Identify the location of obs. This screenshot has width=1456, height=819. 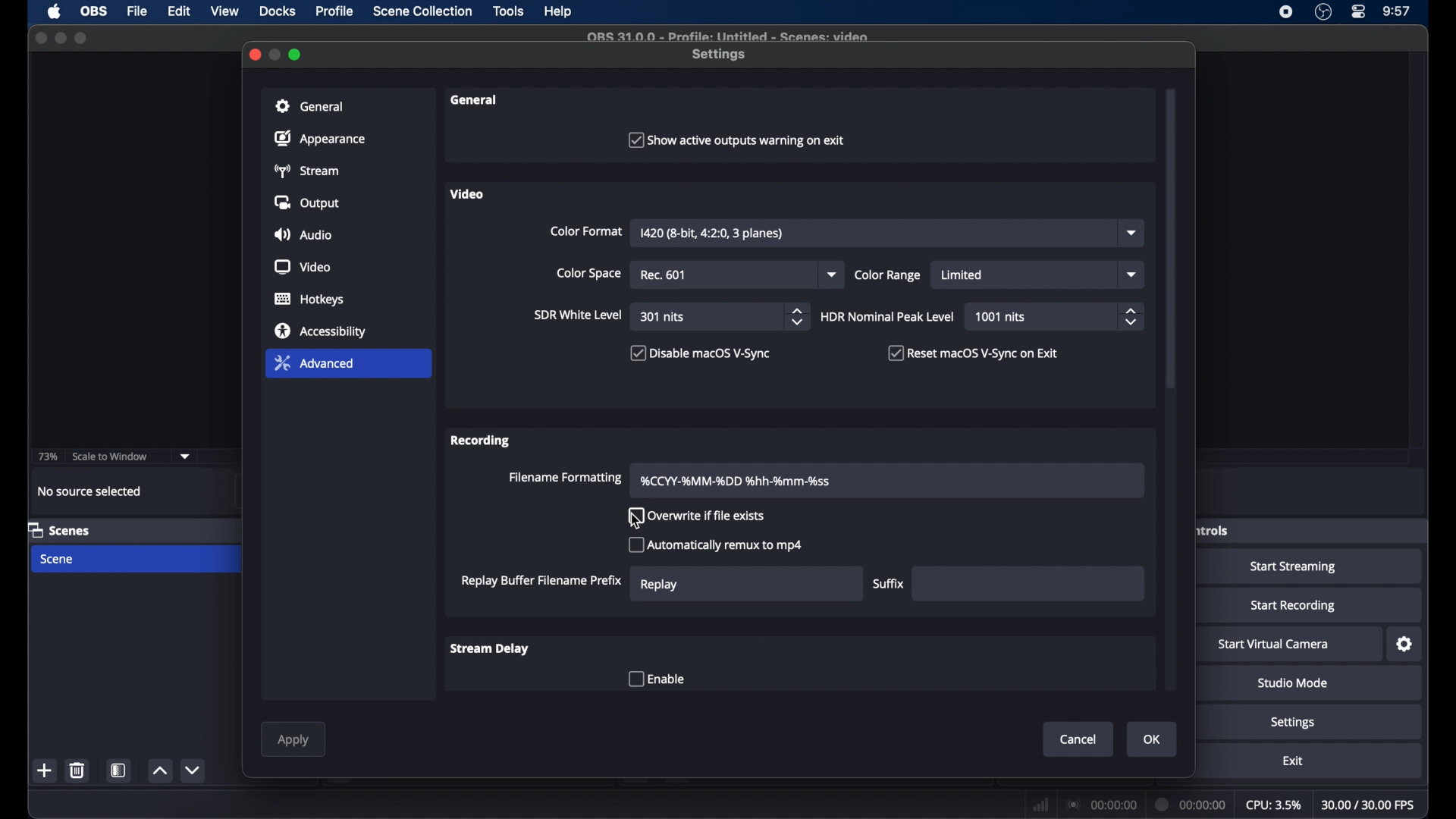
(93, 11).